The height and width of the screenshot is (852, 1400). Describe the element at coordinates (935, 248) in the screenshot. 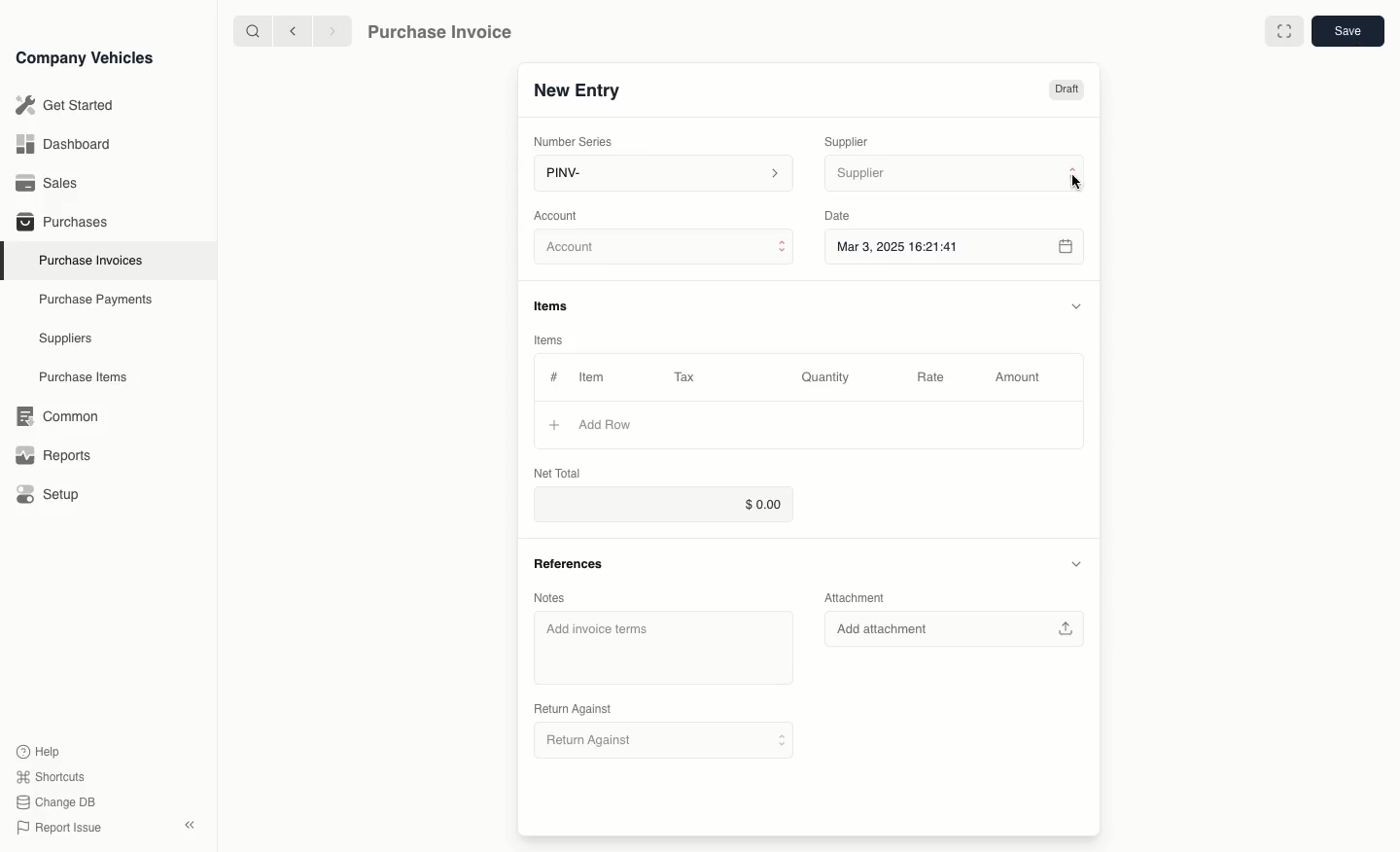

I see `Mar 3, 2025 16:21:41` at that location.